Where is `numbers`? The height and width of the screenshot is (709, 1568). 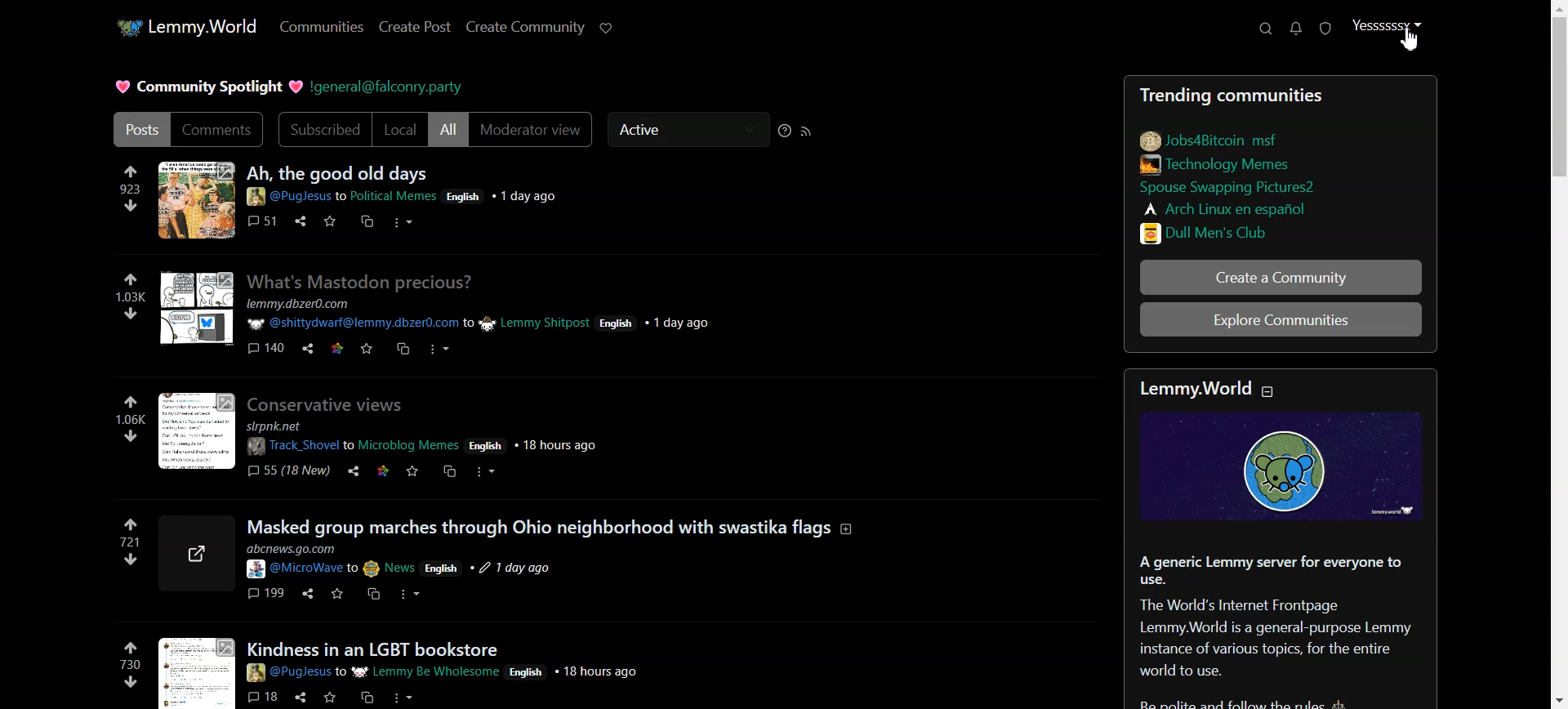
numbers is located at coordinates (130, 663).